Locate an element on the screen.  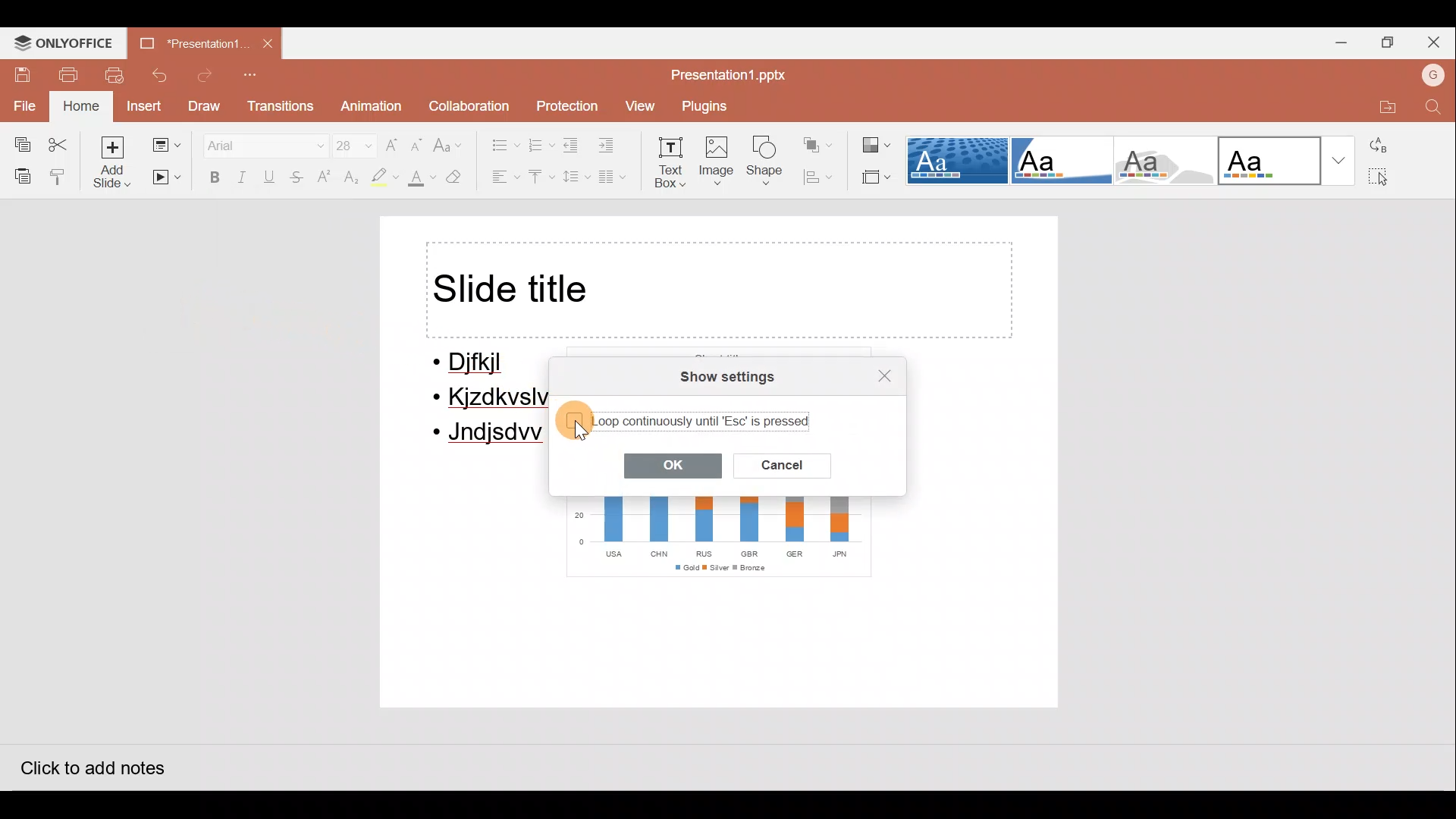
Save is located at coordinates (14, 74).